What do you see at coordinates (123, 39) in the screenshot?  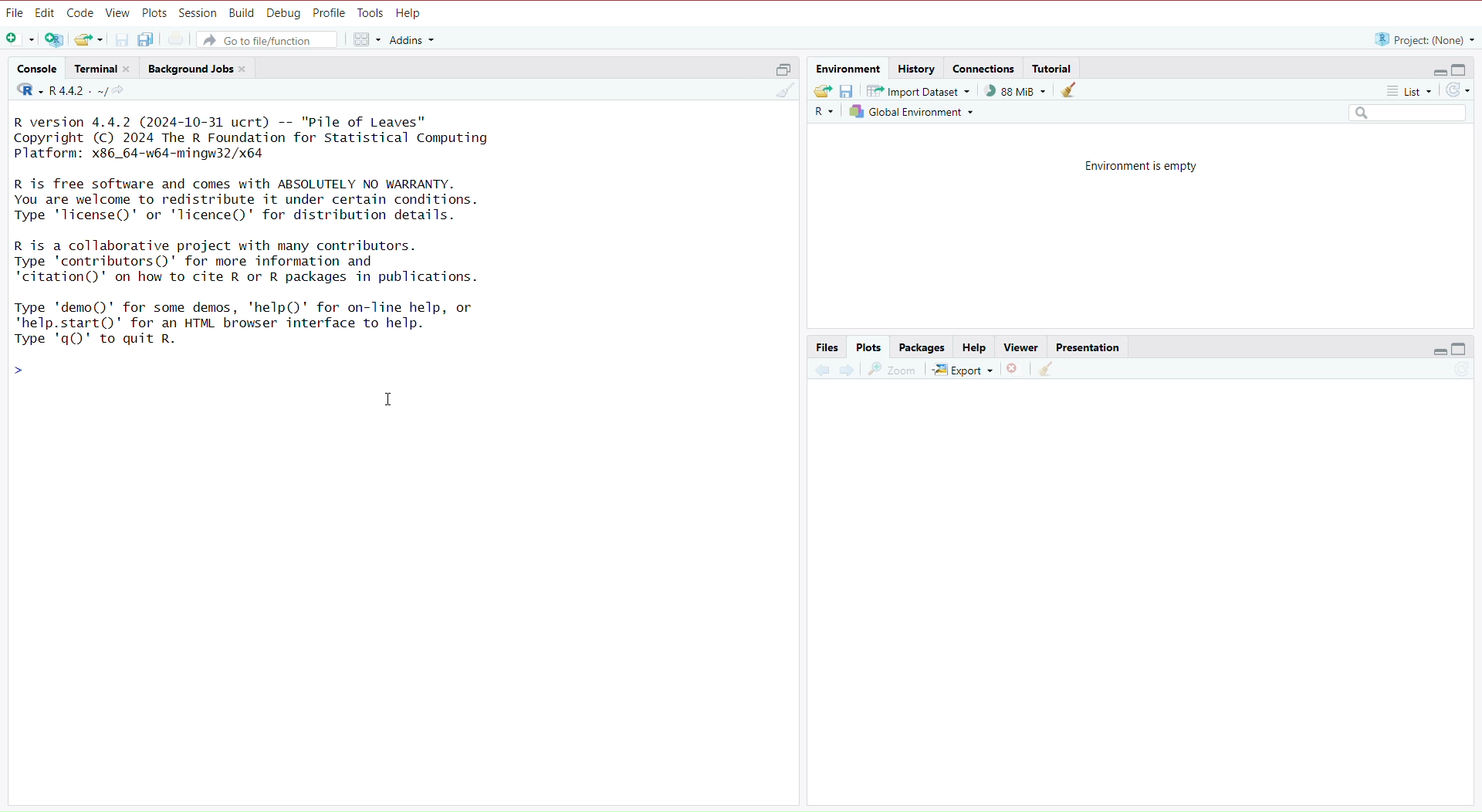 I see `save current document` at bounding box center [123, 39].